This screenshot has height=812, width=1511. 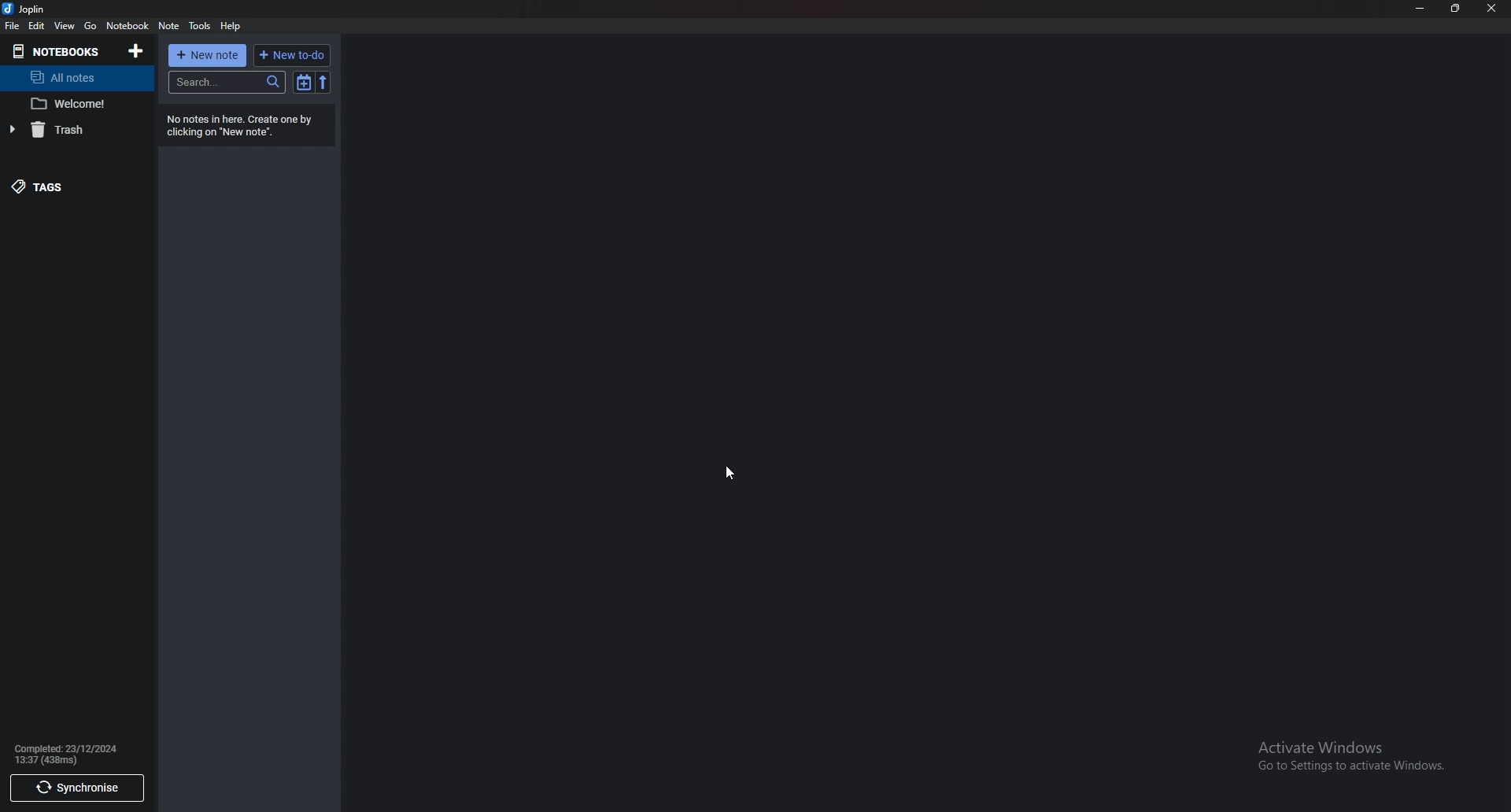 What do you see at coordinates (227, 83) in the screenshot?
I see `search` at bounding box center [227, 83].